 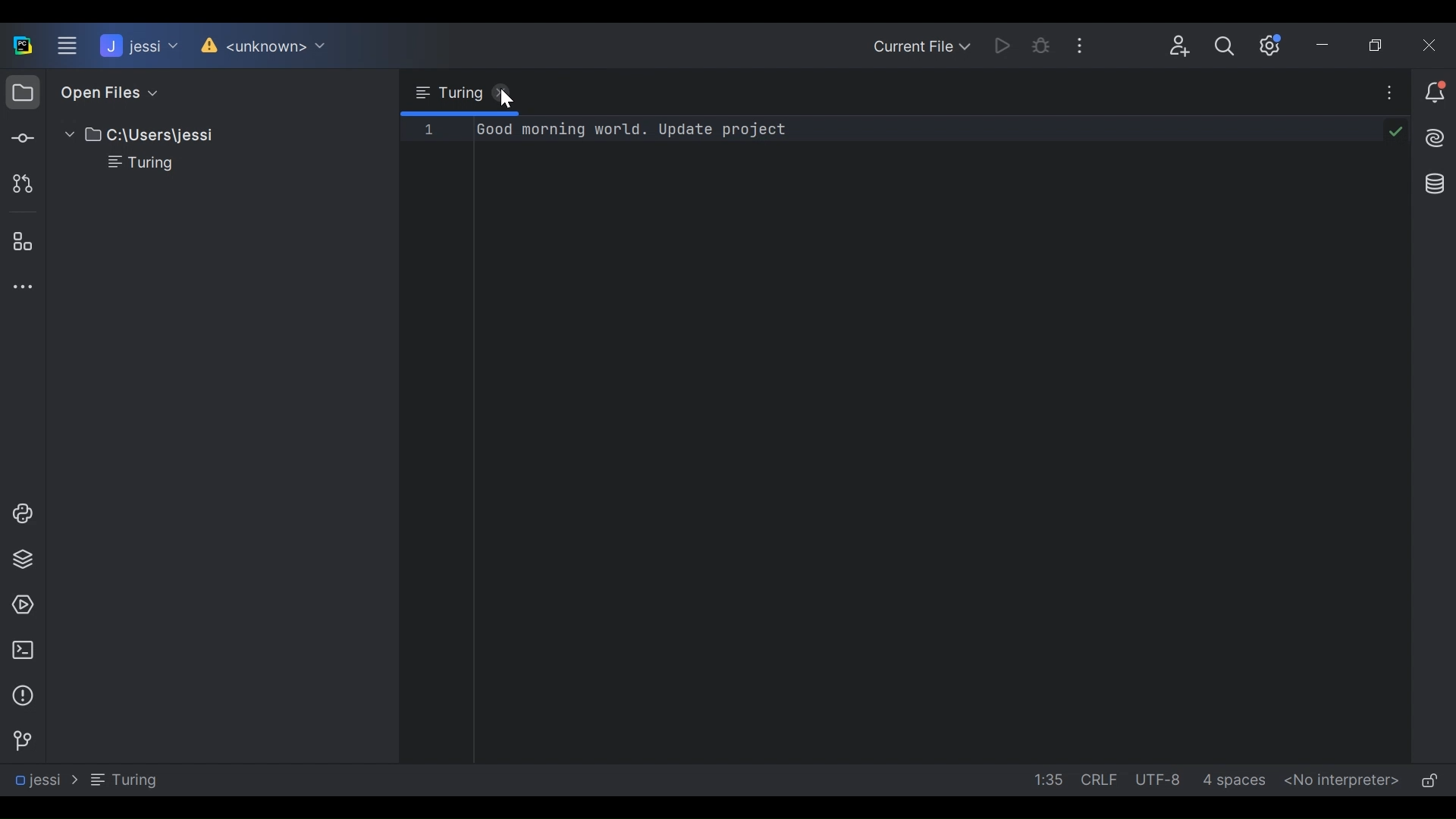 What do you see at coordinates (137, 46) in the screenshot?
I see `Project Name` at bounding box center [137, 46].